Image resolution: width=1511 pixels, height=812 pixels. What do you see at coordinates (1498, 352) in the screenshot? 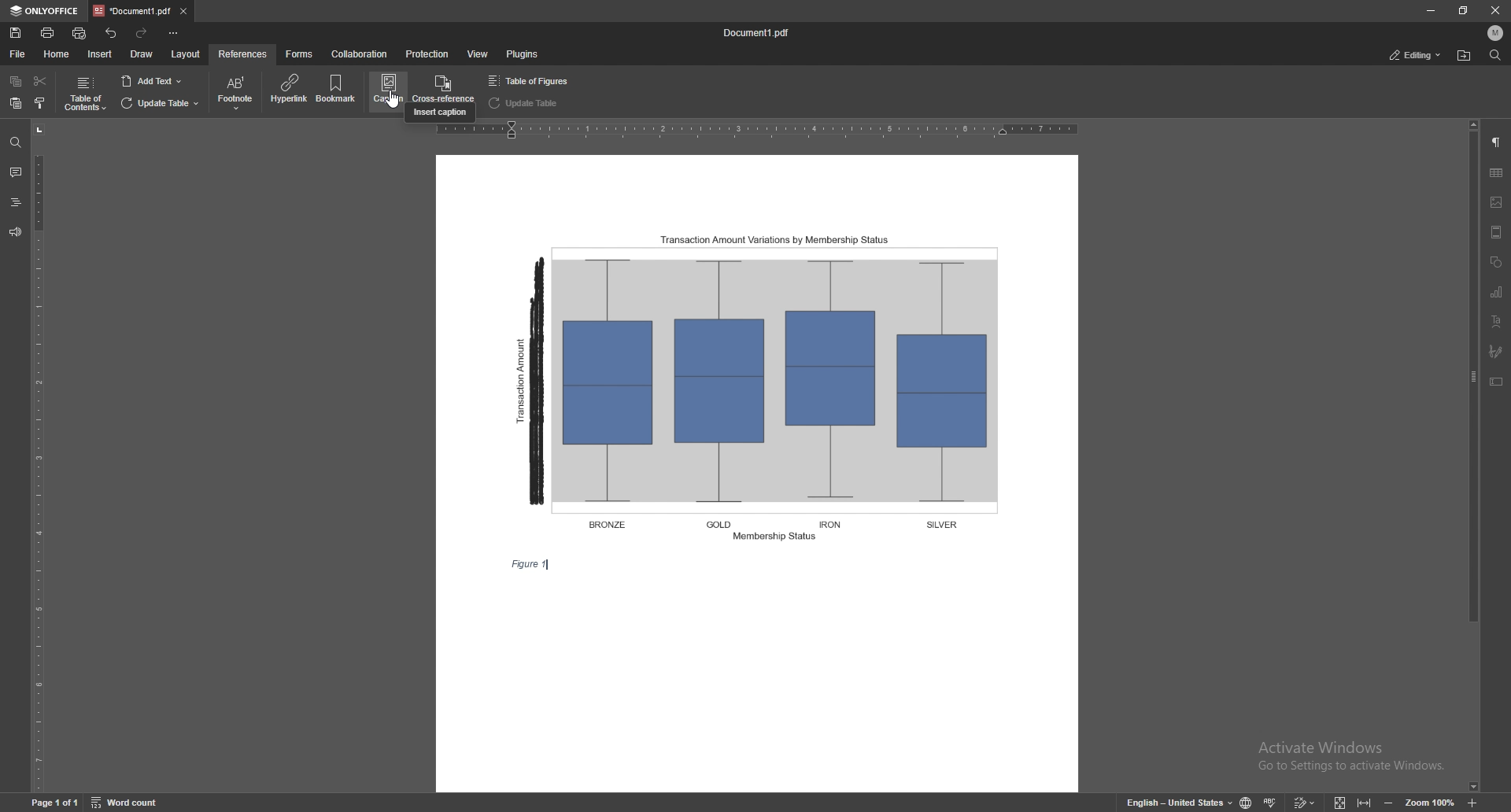
I see `signature` at bounding box center [1498, 352].